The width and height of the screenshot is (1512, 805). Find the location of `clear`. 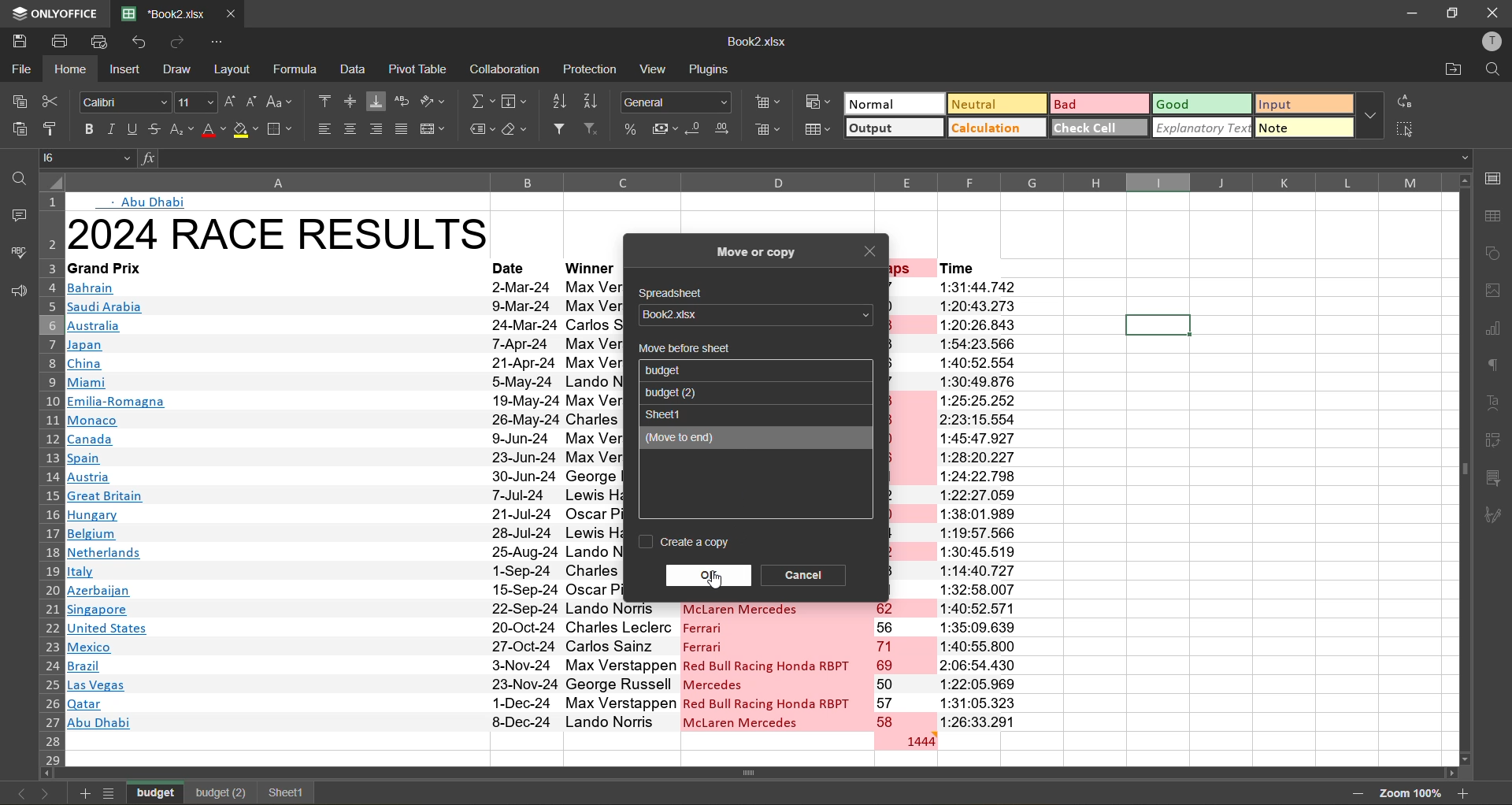

clear is located at coordinates (521, 131).